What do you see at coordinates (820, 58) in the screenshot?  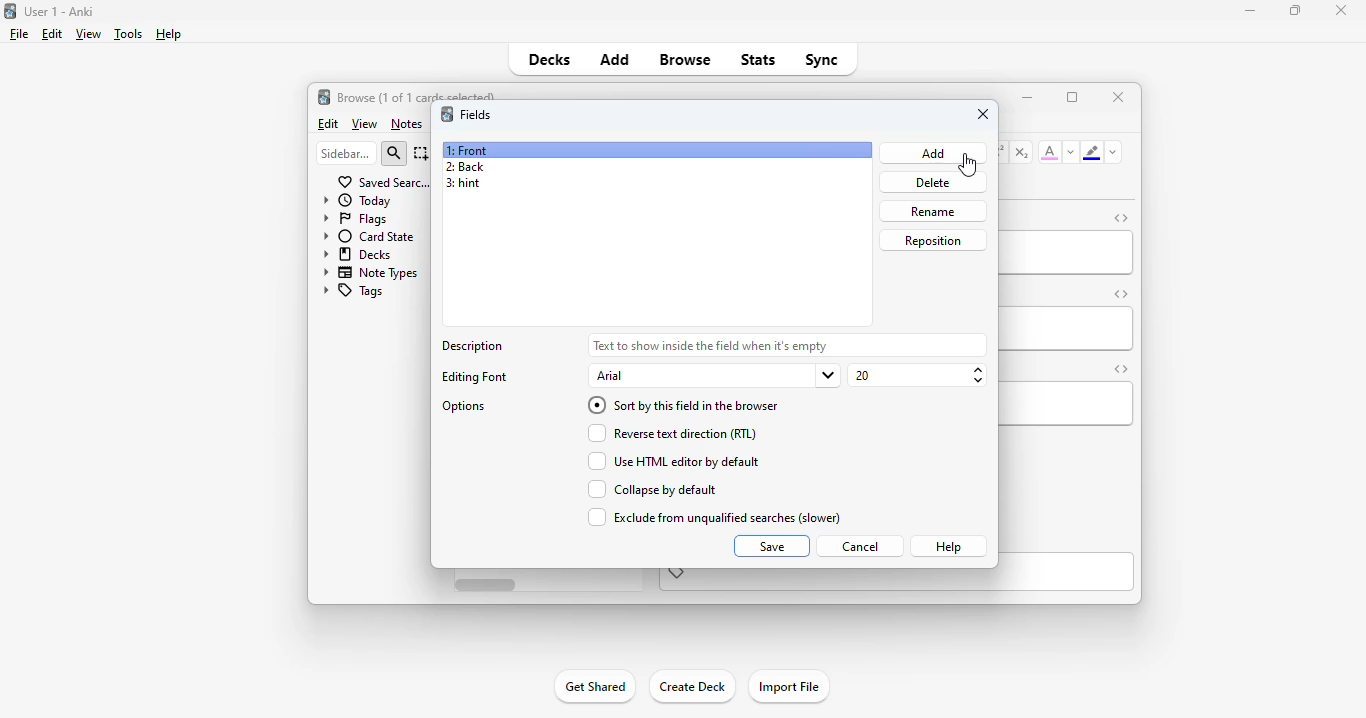 I see `sync` at bounding box center [820, 58].